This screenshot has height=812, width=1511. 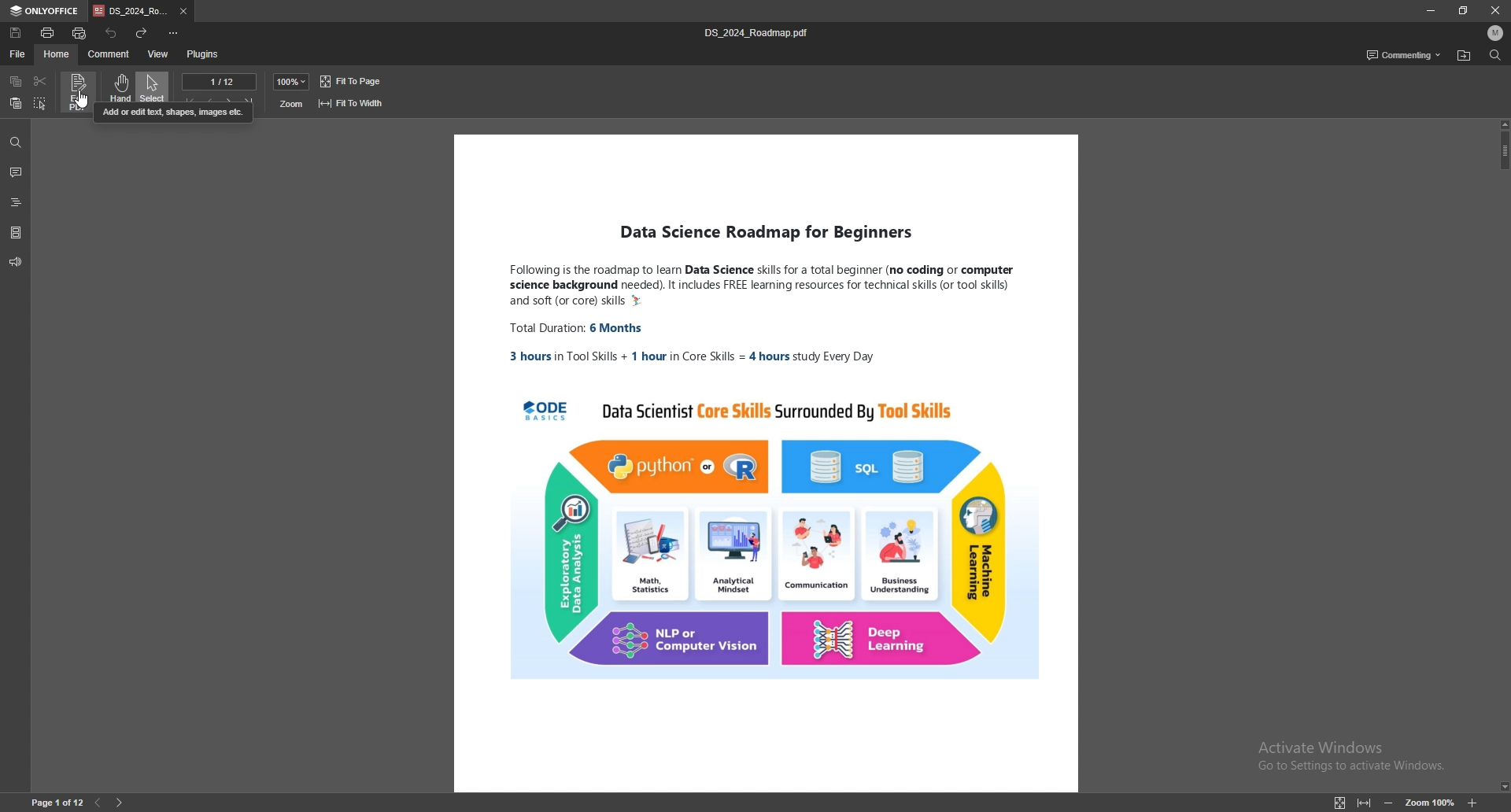 I want to click on page, so click(x=220, y=81).